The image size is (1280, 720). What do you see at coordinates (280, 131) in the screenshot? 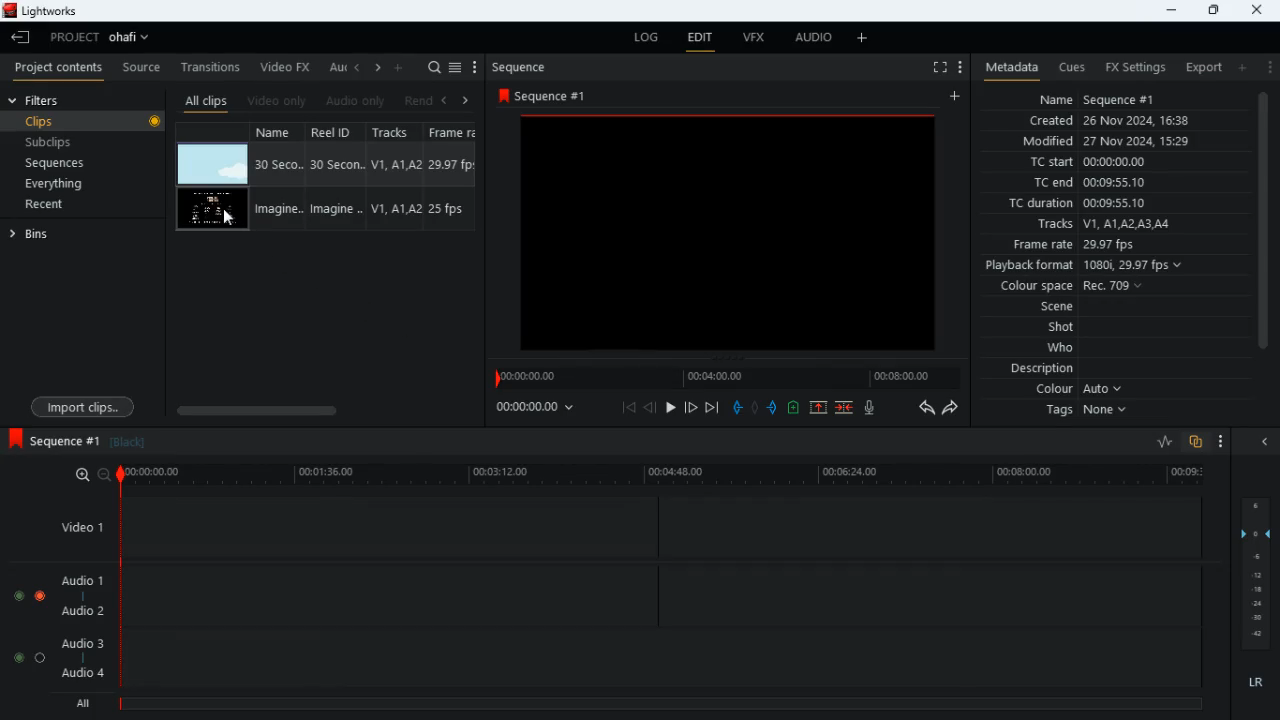
I see `name` at bounding box center [280, 131].